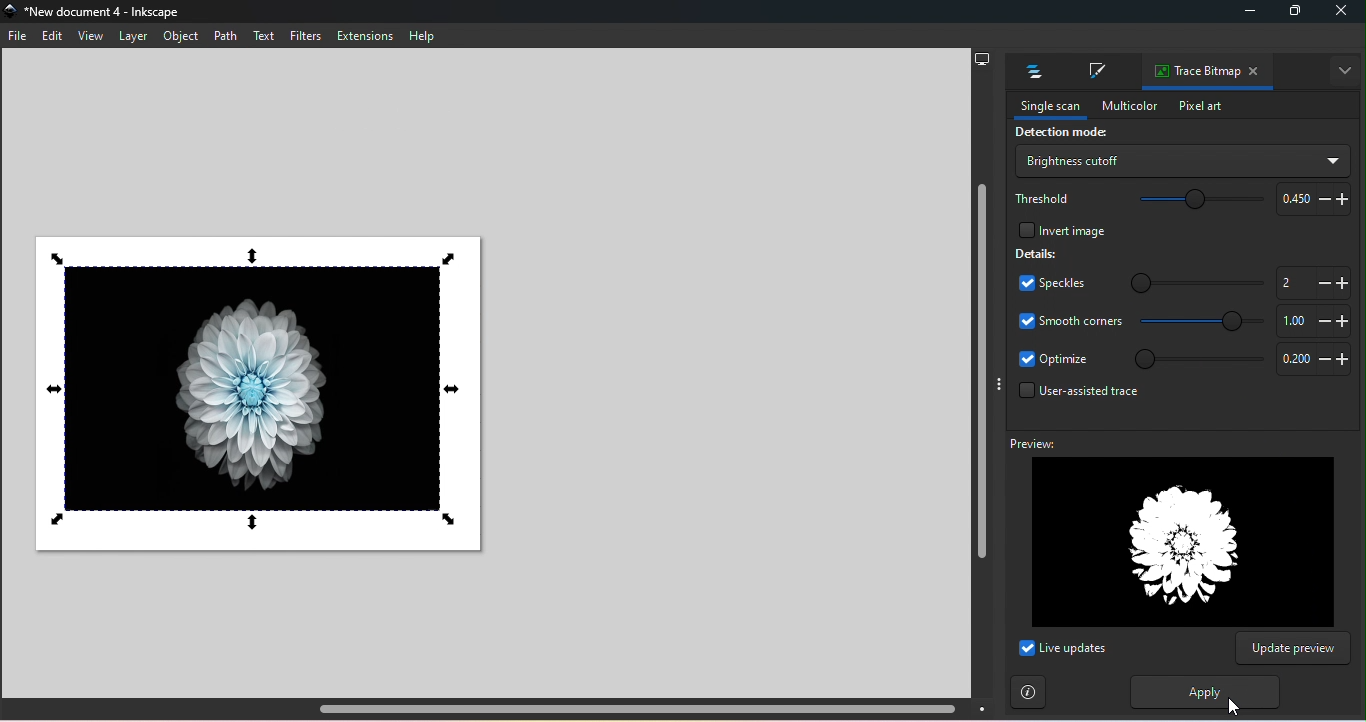  I want to click on Optimize, so click(1054, 360).